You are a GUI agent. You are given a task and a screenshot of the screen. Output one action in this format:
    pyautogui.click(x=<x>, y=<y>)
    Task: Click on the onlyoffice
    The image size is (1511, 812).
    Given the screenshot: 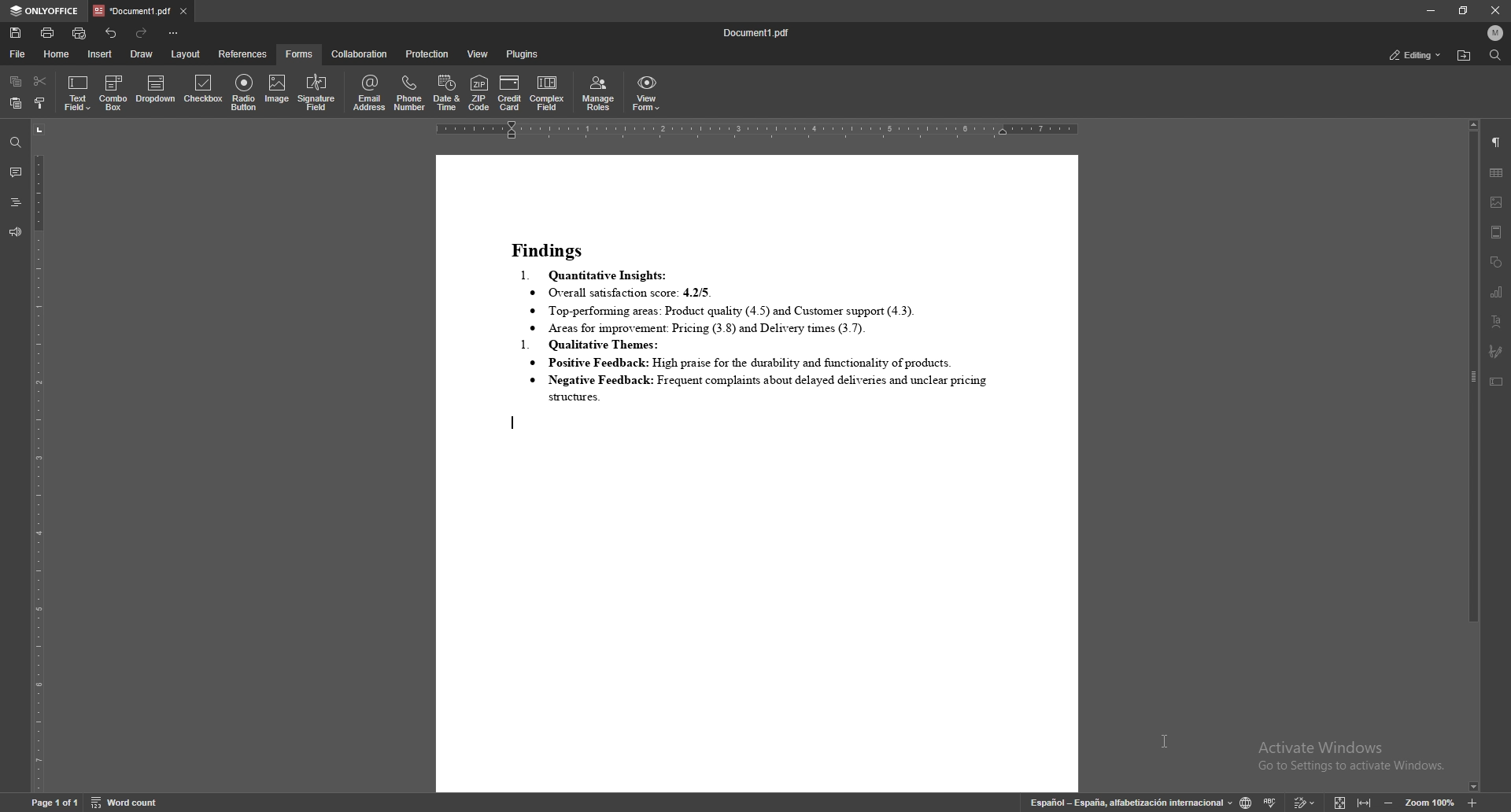 What is the action you would take?
    pyautogui.click(x=45, y=11)
    